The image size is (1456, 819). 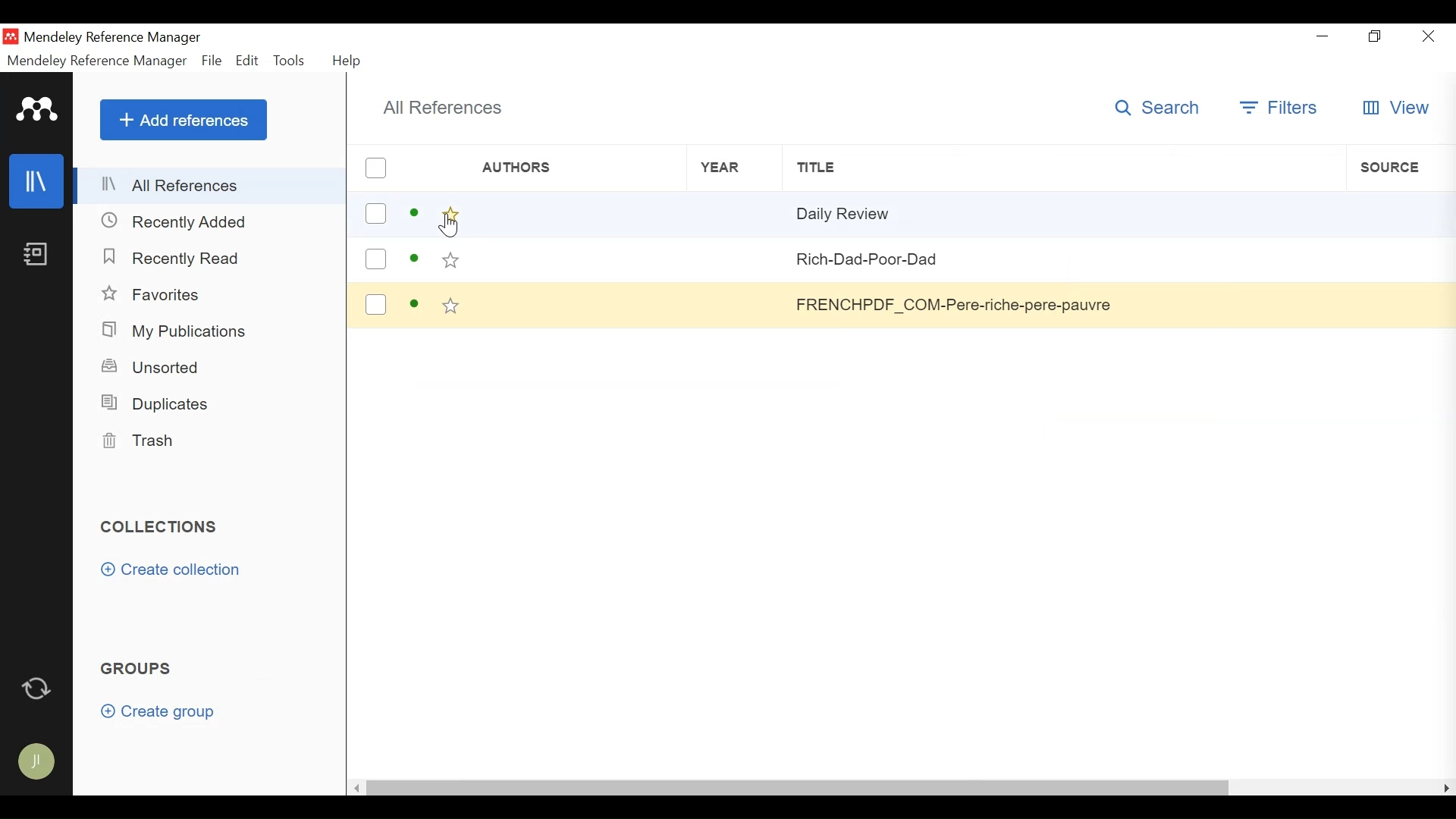 What do you see at coordinates (1049, 169) in the screenshot?
I see `Title` at bounding box center [1049, 169].